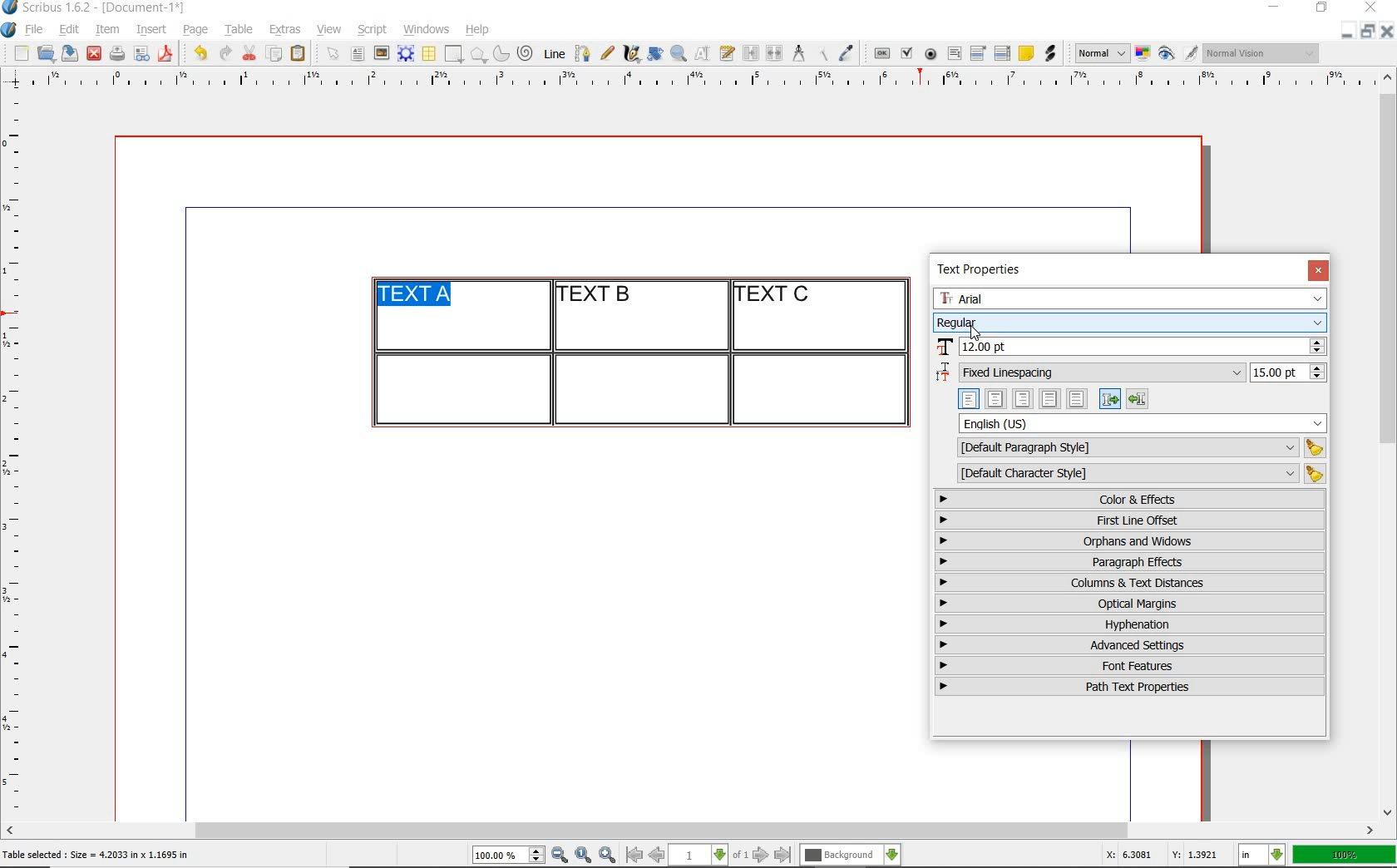 Image resolution: width=1397 pixels, height=868 pixels. Describe the element at coordinates (607, 53) in the screenshot. I see `freehand line` at that location.